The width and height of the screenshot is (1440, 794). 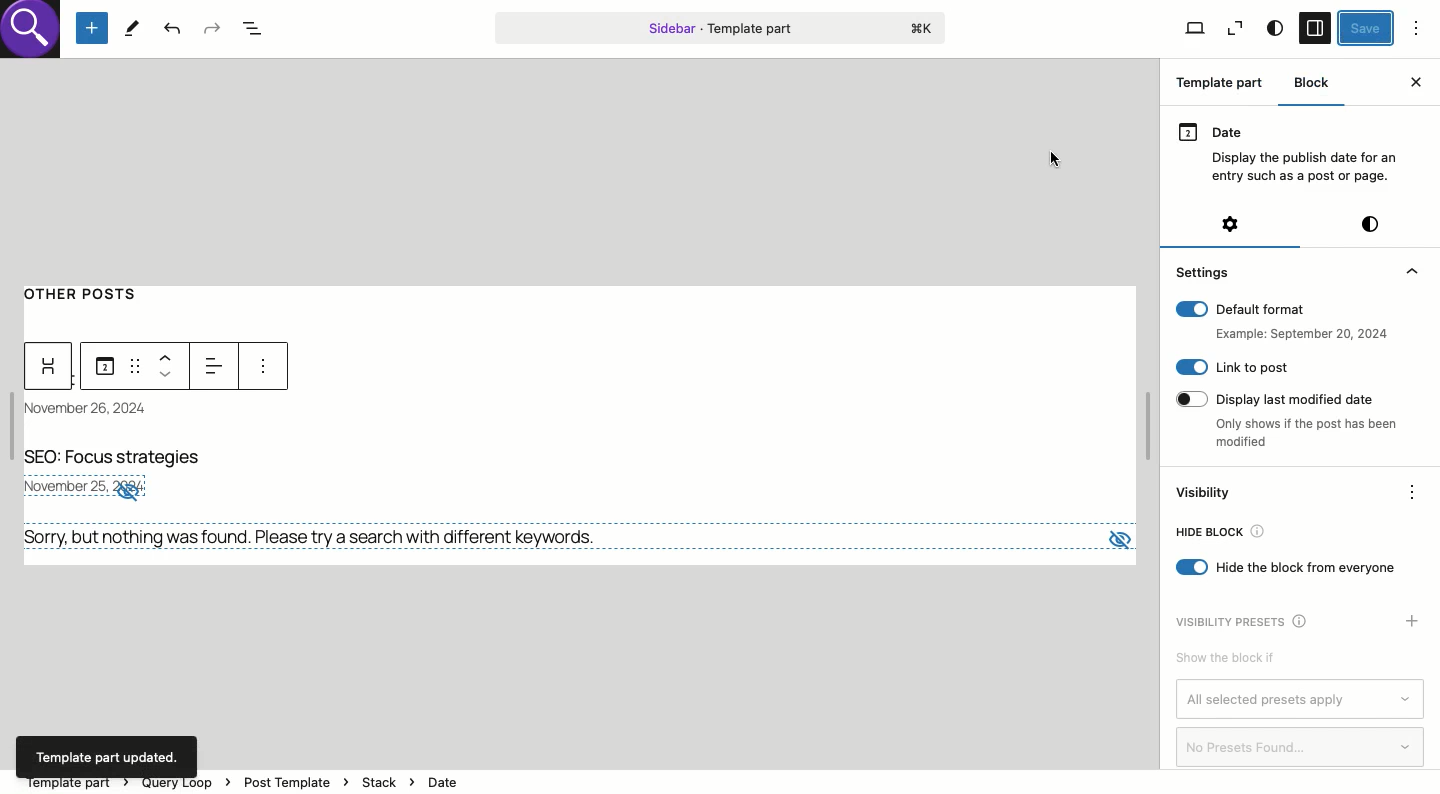 I want to click on Other posts, so click(x=91, y=291).